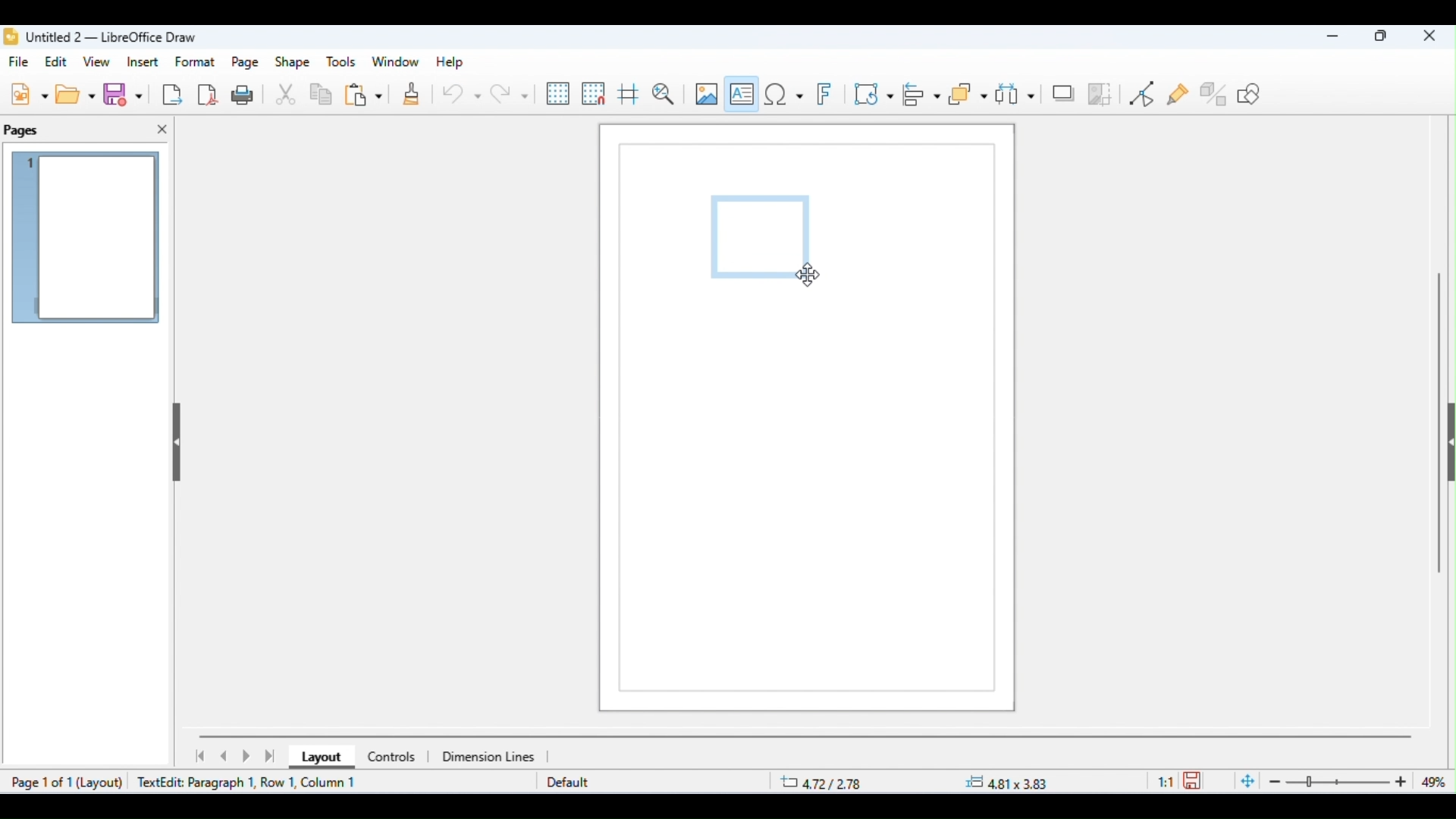 The width and height of the screenshot is (1456, 819). I want to click on export, so click(171, 94).